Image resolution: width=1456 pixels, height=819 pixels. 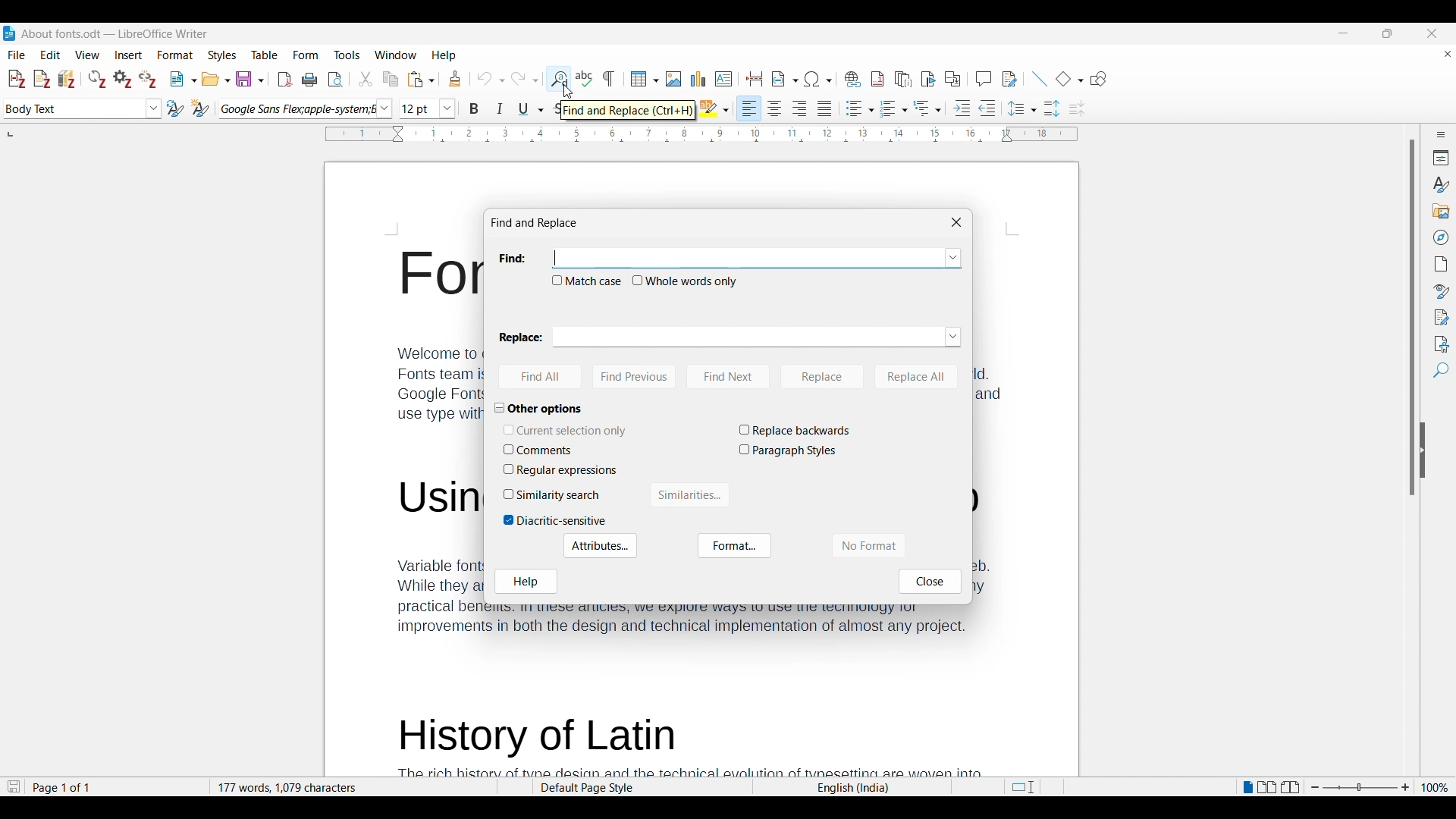 I want to click on Minimize, so click(x=1343, y=33).